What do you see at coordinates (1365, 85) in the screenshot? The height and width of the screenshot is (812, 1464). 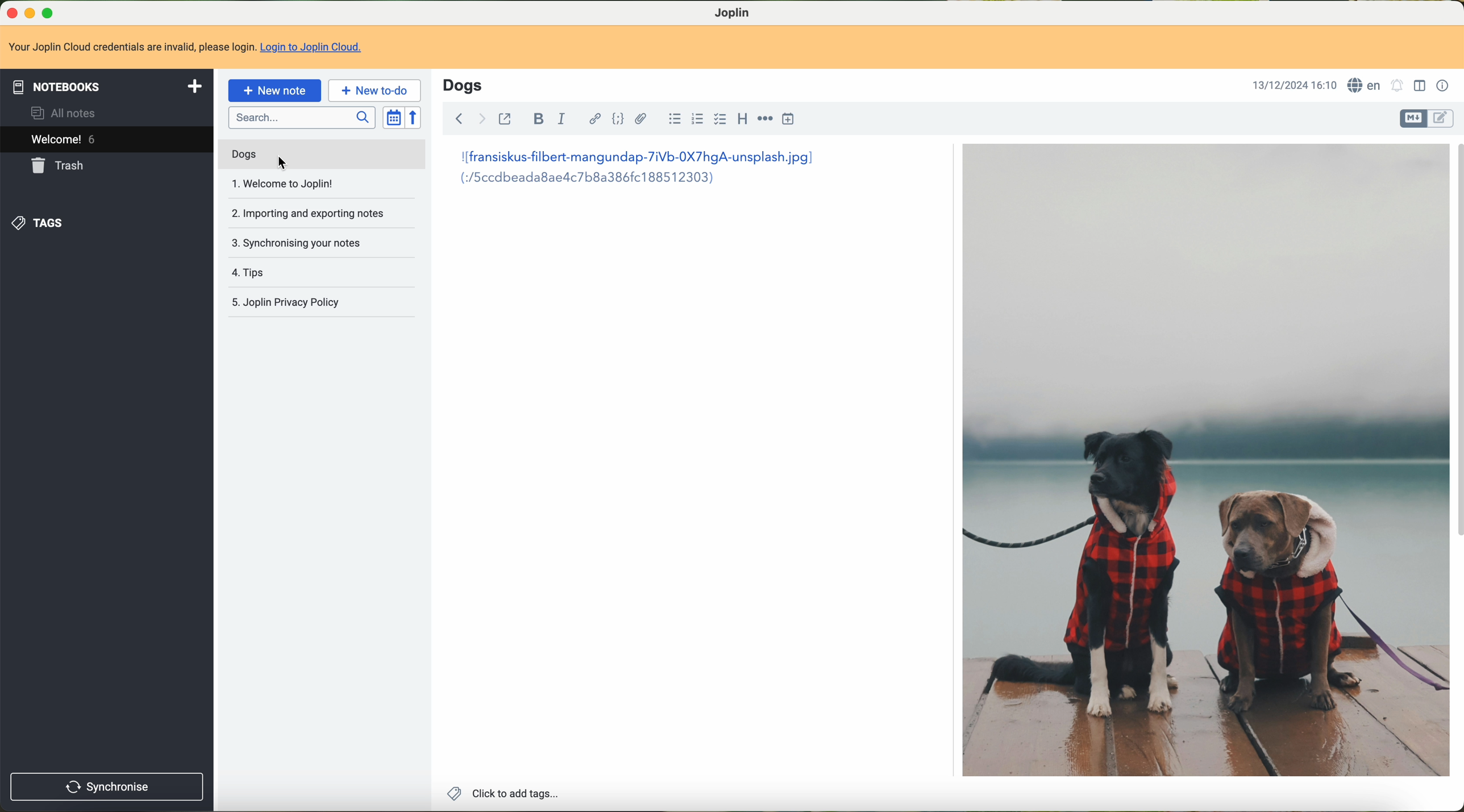 I see `language` at bounding box center [1365, 85].